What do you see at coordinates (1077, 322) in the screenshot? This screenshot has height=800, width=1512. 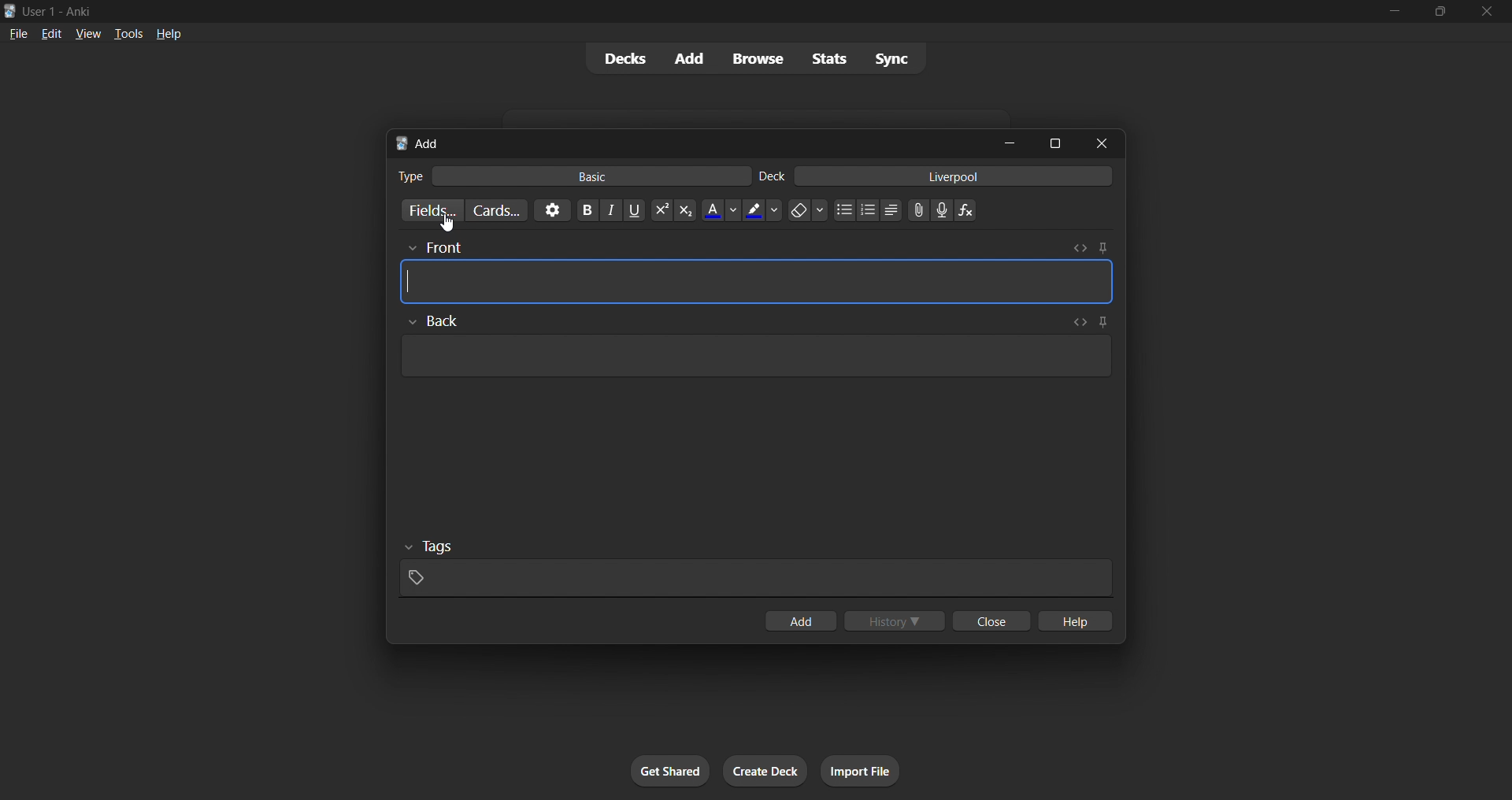 I see `Toggle HTML editor` at bounding box center [1077, 322].